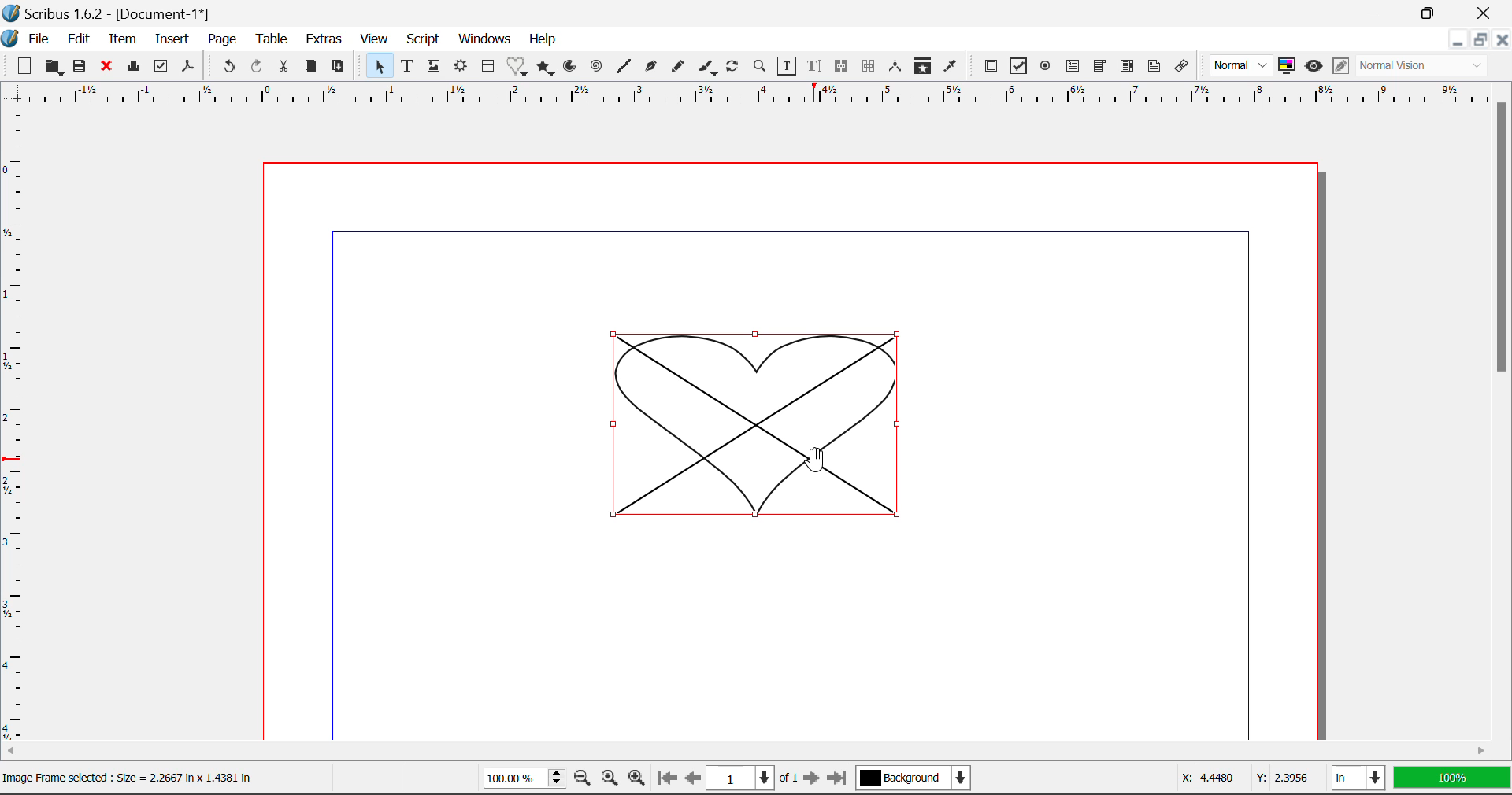 The image size is (1512, 795). What do you see at coordinates (187, 68) in the screenshot?
I see `Save as Pdf` at bounding box center [187, 68].